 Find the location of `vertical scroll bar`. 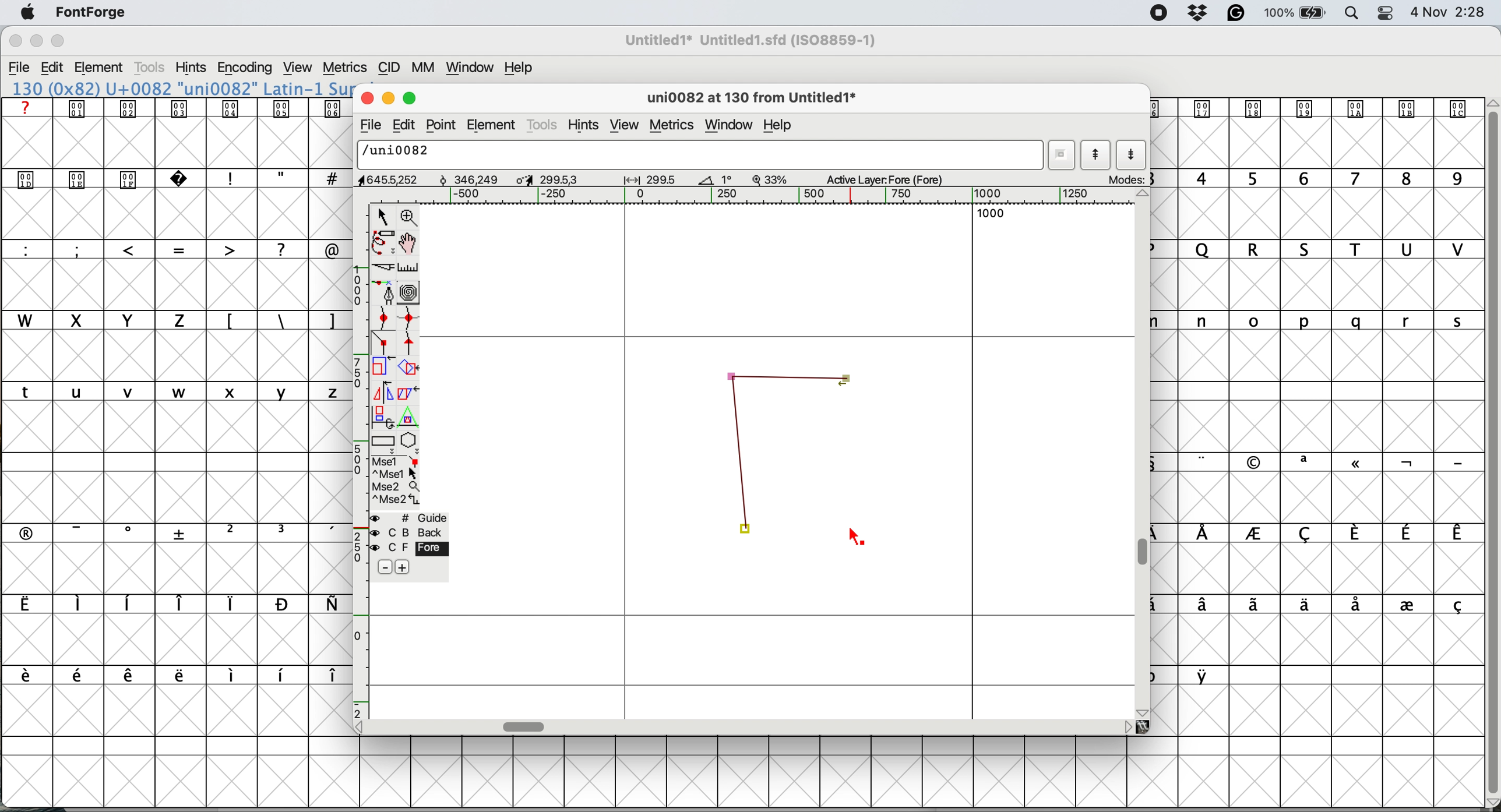

vertical scroll bar is located at coordinates (1491, 448).